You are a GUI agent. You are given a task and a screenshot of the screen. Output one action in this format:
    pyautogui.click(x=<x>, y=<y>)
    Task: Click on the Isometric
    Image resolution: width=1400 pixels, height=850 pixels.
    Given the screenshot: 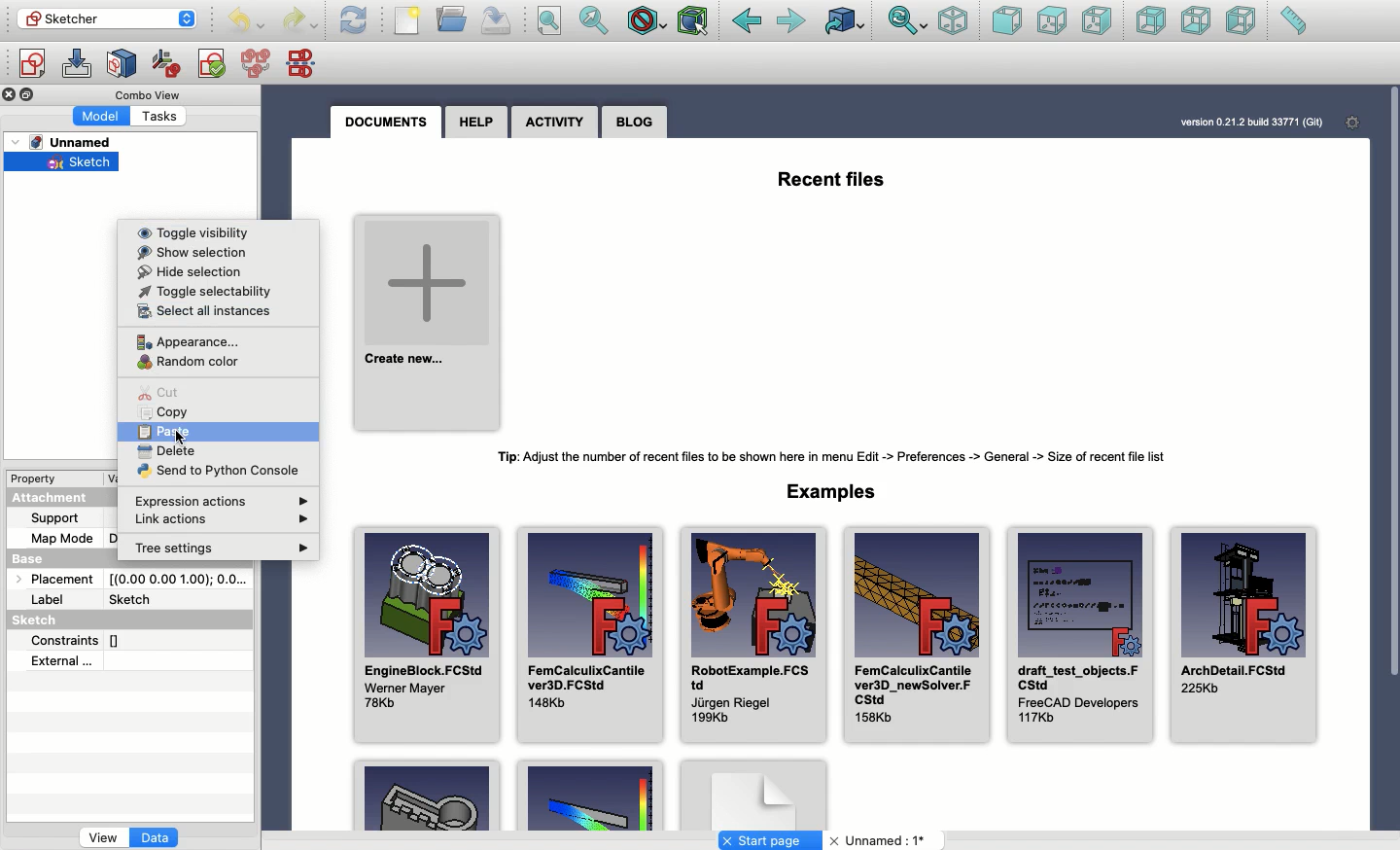 What is the action you would take?
    pyautogui.click(x=954, y=20)
    